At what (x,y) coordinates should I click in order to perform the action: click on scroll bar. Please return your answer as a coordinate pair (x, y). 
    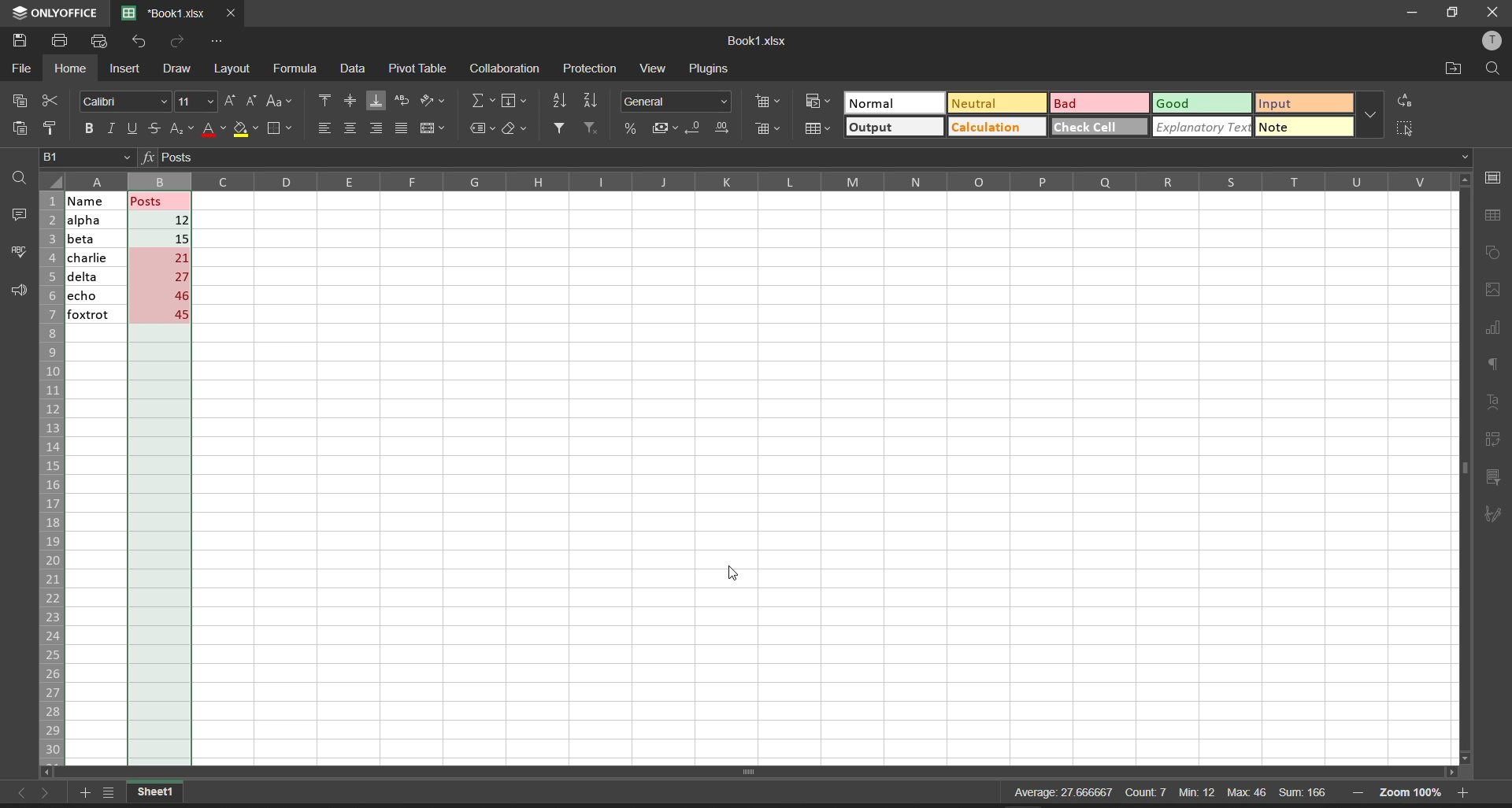
    Looking at the image, I should click on (757, 765).